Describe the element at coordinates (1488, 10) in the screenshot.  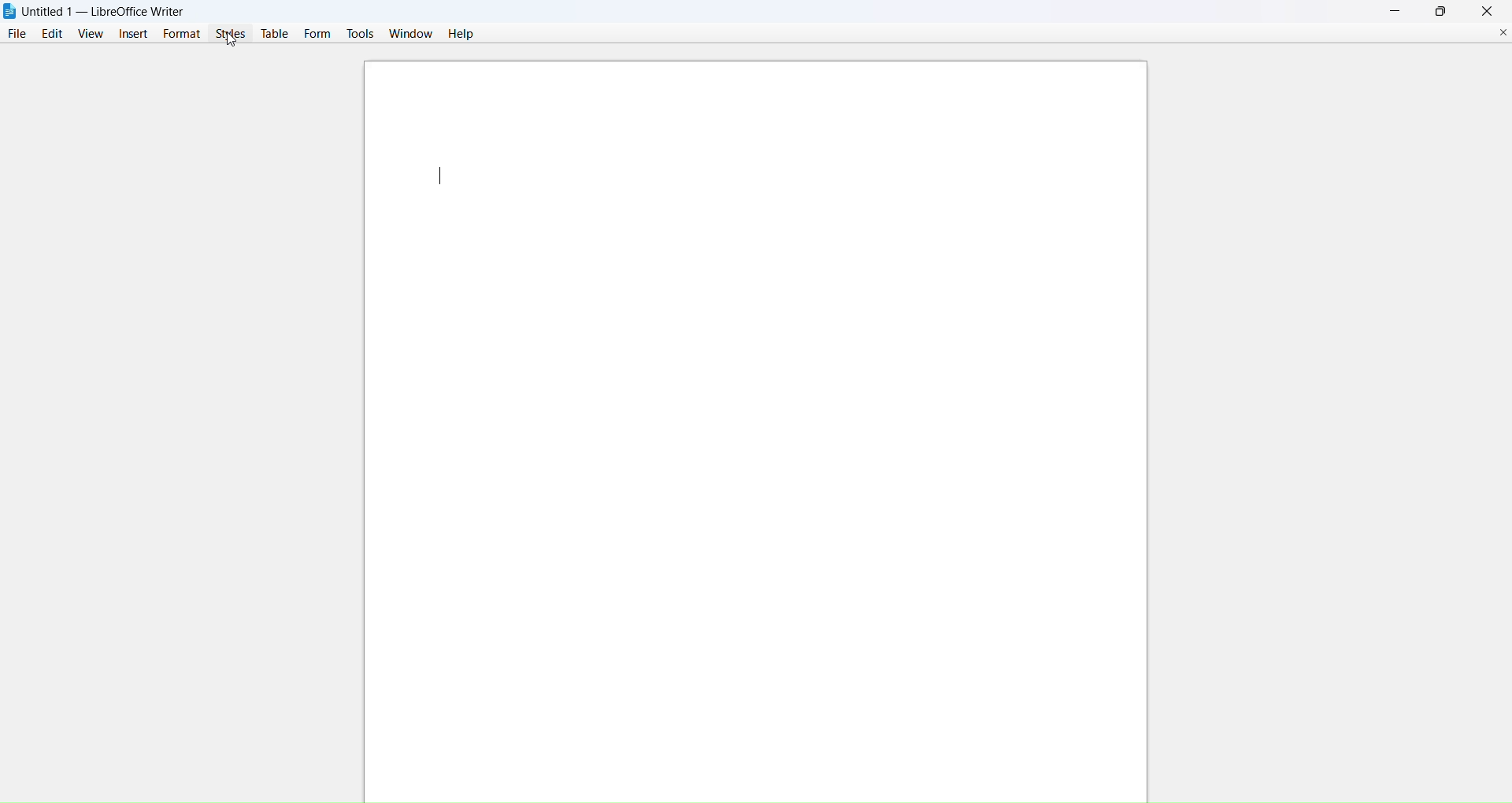
I see `close` at that location.